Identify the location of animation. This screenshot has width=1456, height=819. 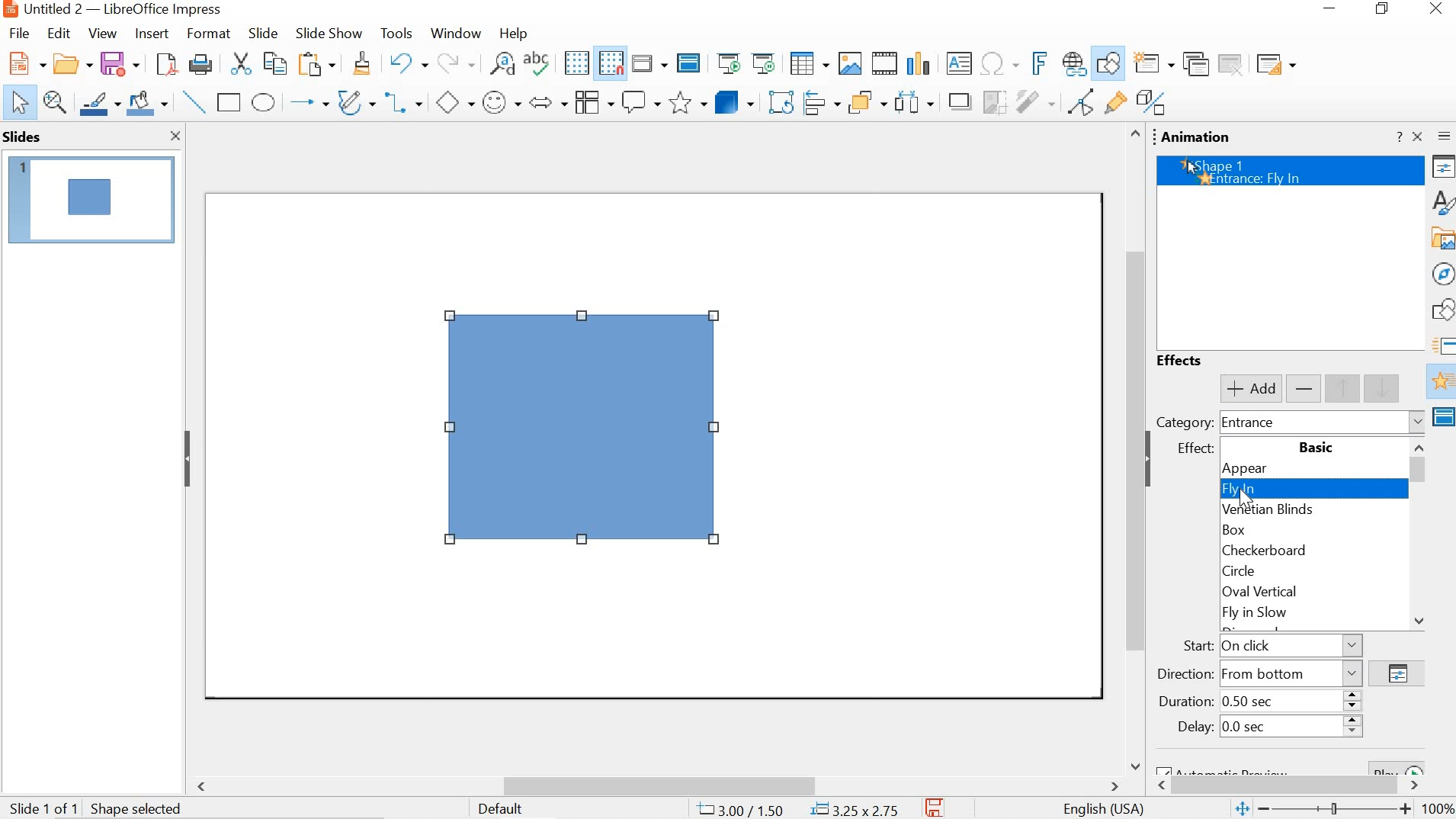
(1441, 383).